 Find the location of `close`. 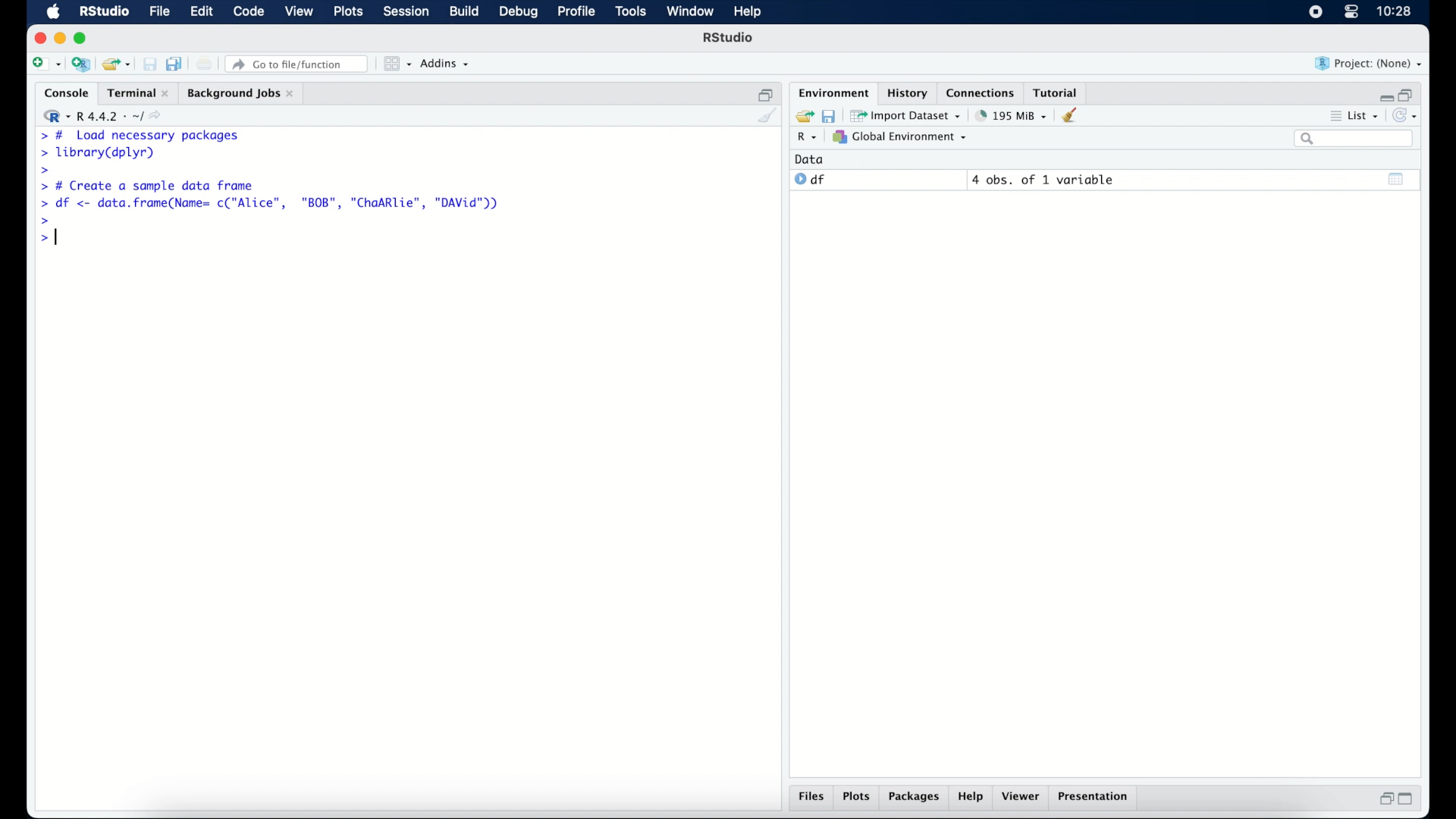

close is located at coordinates (40, 38).